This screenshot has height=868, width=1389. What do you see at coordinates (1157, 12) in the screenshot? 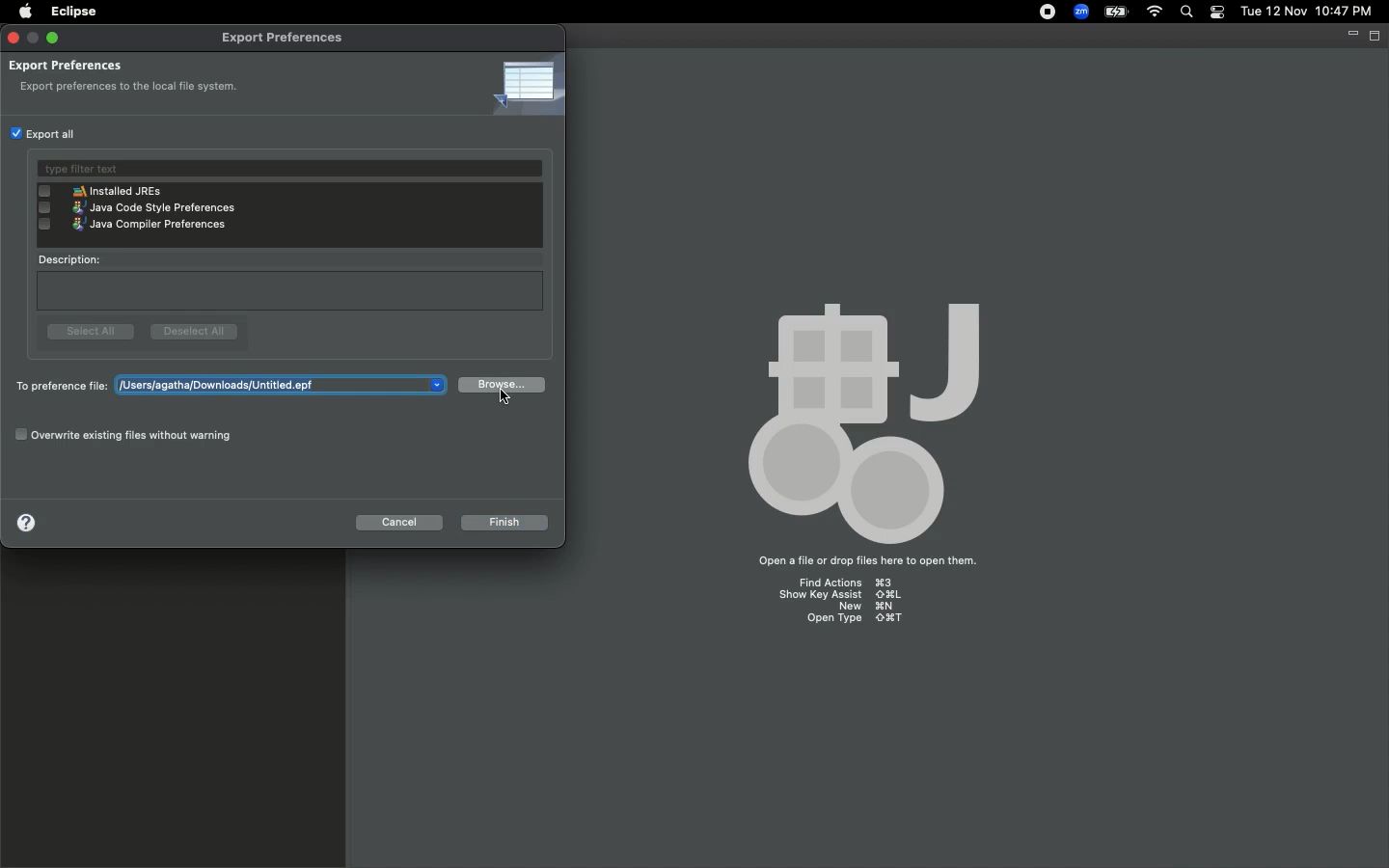
I see `Internet` at bounding box center [1157, 12].